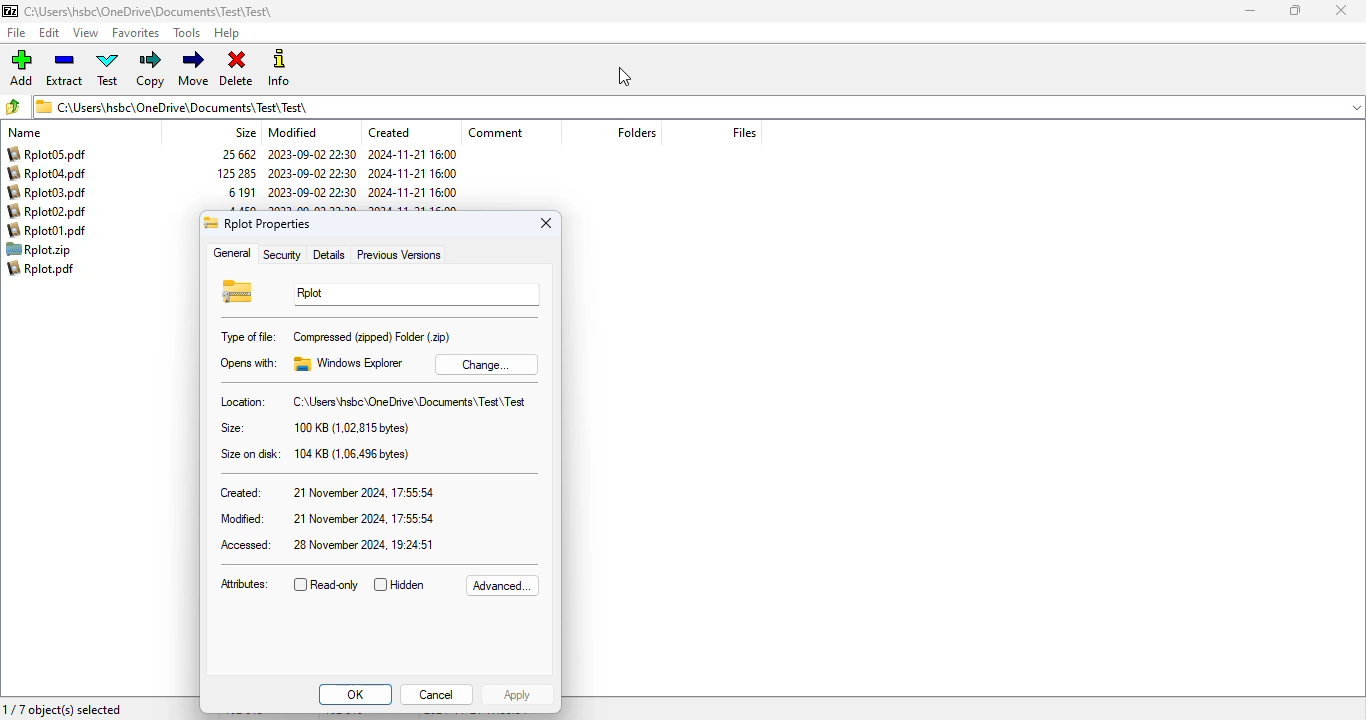 This screenshot has height=720, width=1366. Describe the element at coordinates (388, 132) in the screenshot. I see `created` at that location.